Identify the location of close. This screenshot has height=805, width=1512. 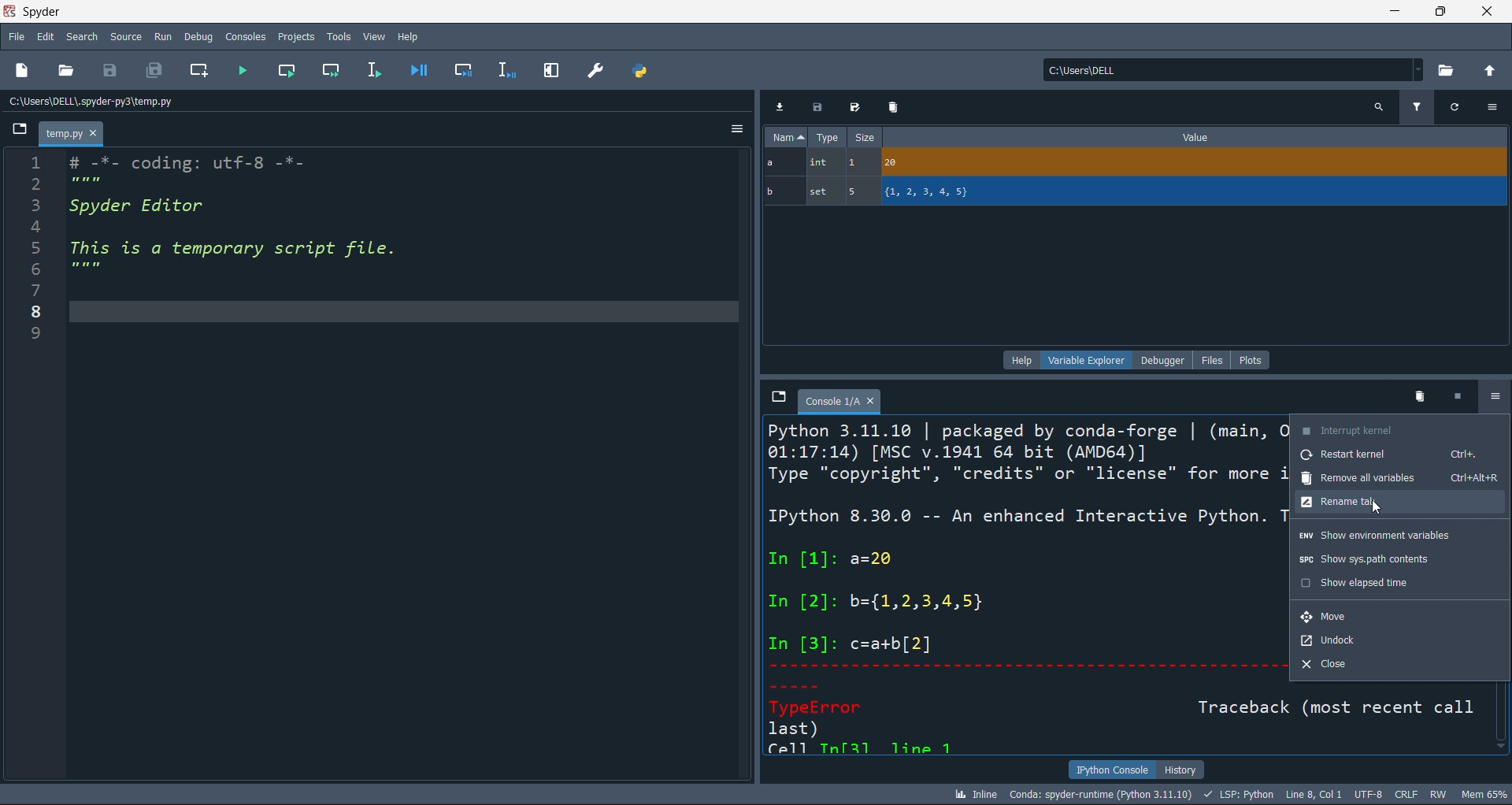
(1488, 11).